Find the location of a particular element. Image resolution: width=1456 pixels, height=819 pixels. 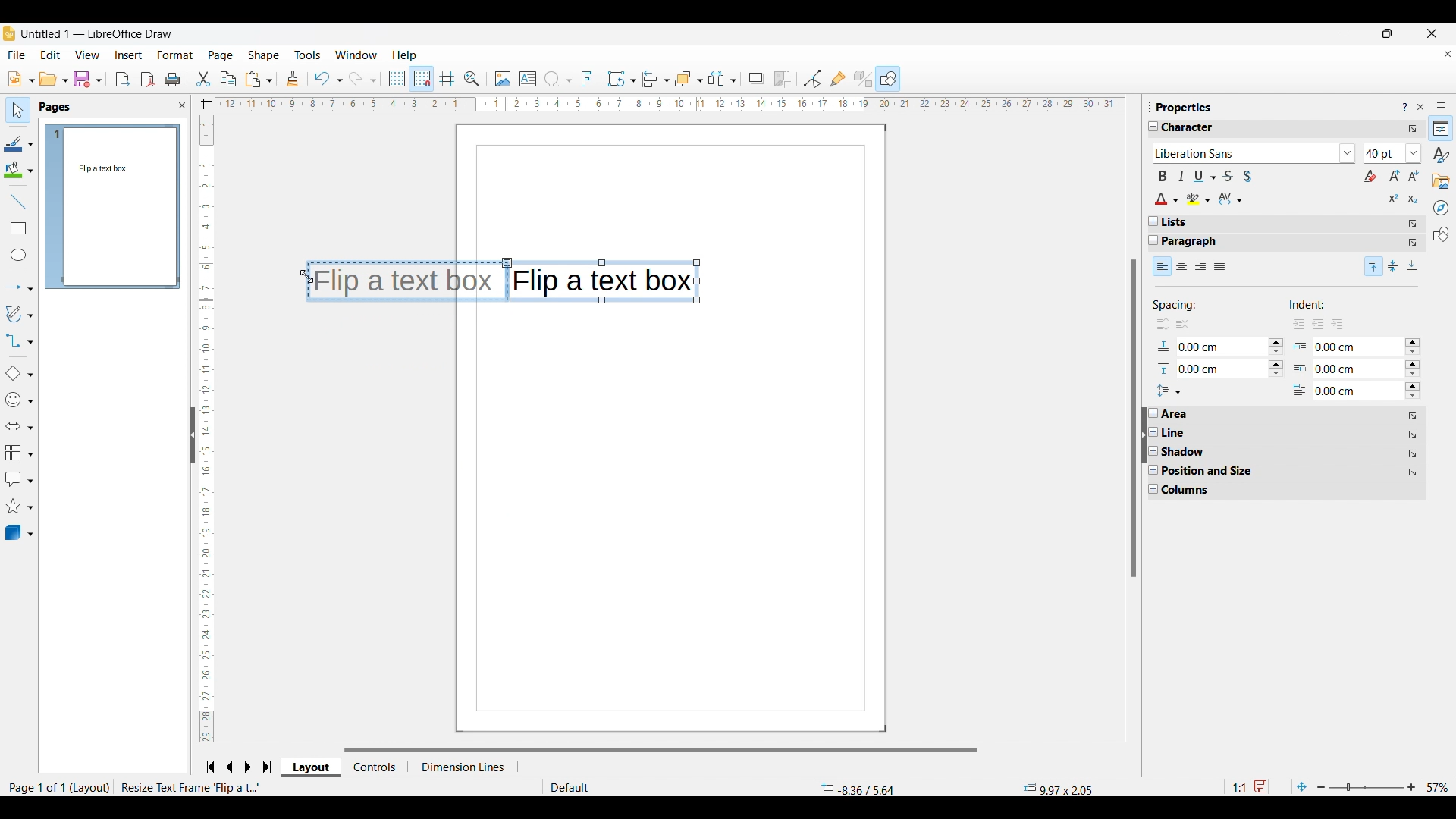

Collapse Character is located at coordinates (1154, 126).